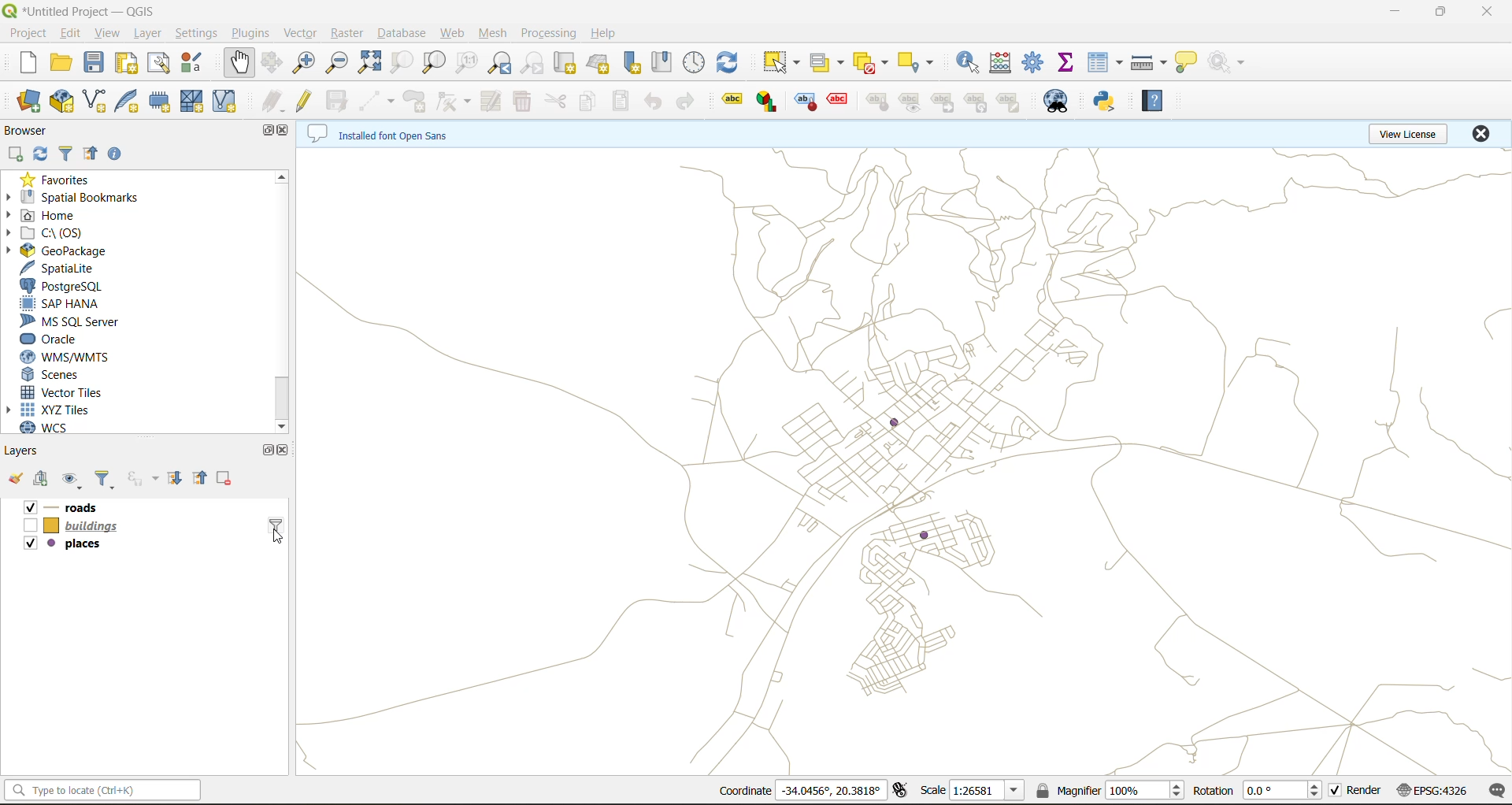 This screenshot has height=805, width=1512. I want to click on Diagram, so click(768, 102).